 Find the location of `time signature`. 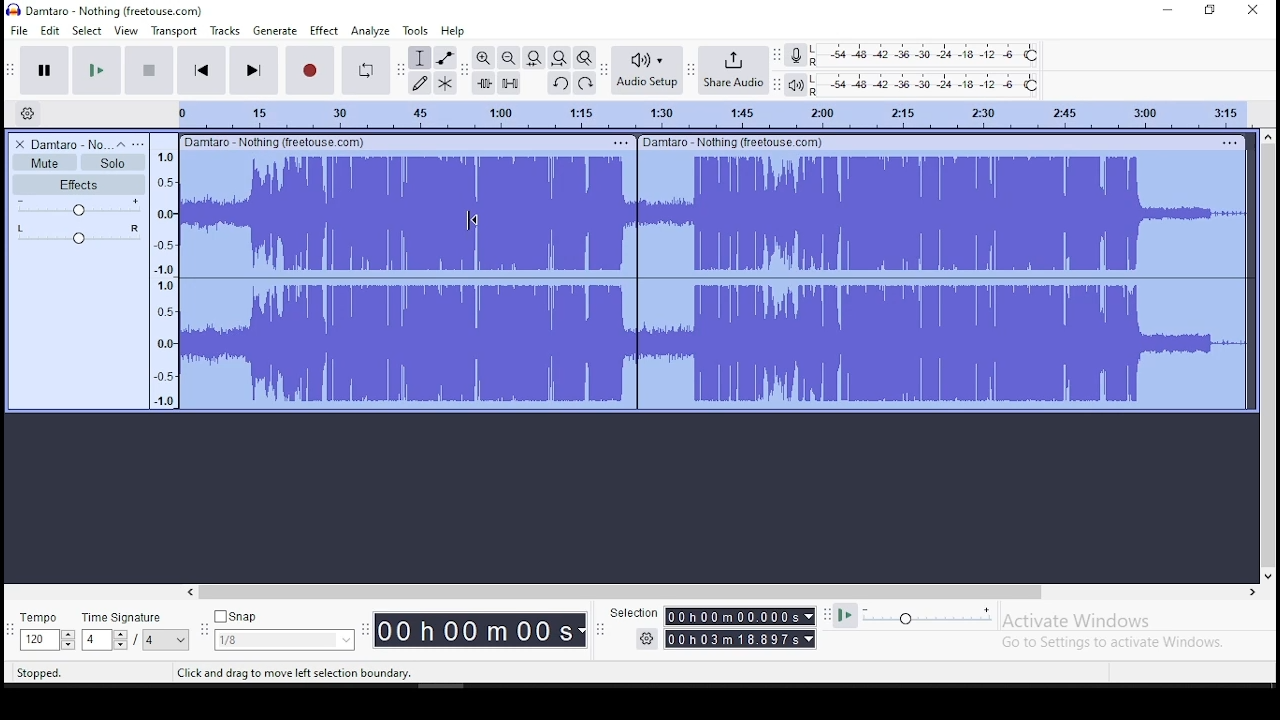

time signature is located at coordinates (124, 618).